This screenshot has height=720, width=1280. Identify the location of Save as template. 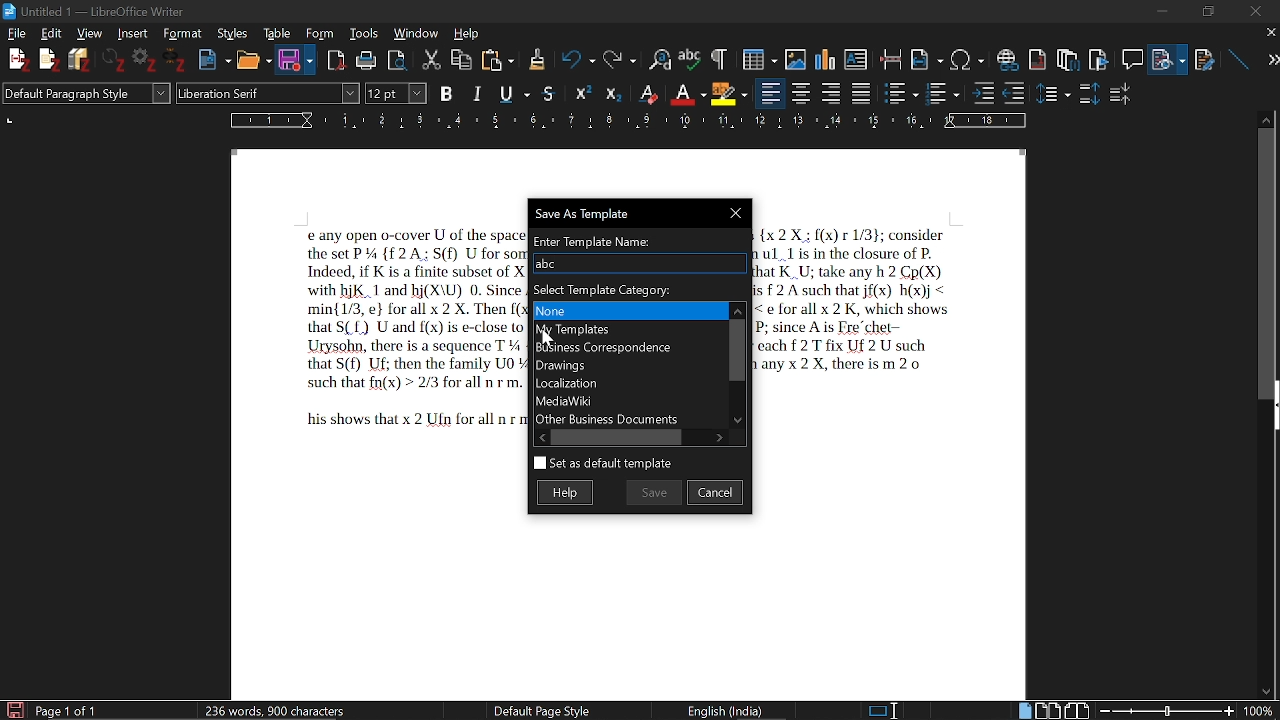
(635, 212).